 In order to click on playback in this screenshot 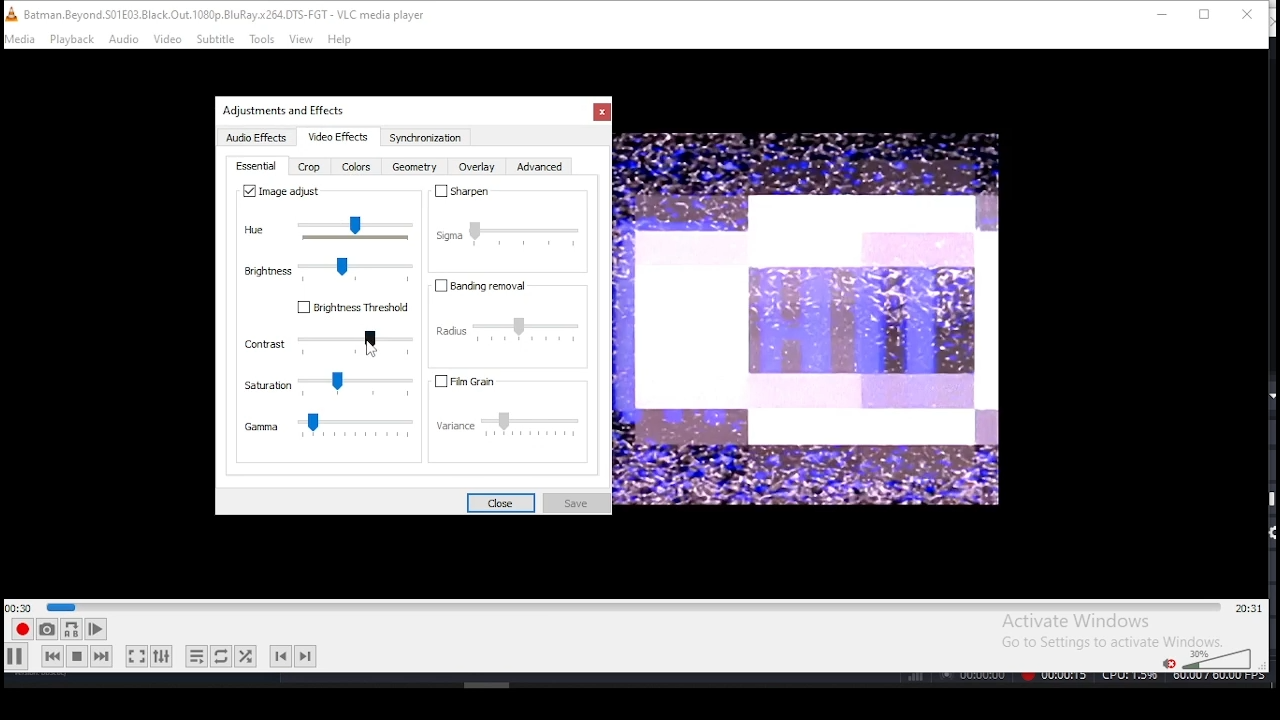, I will do `click(72, 40)`.